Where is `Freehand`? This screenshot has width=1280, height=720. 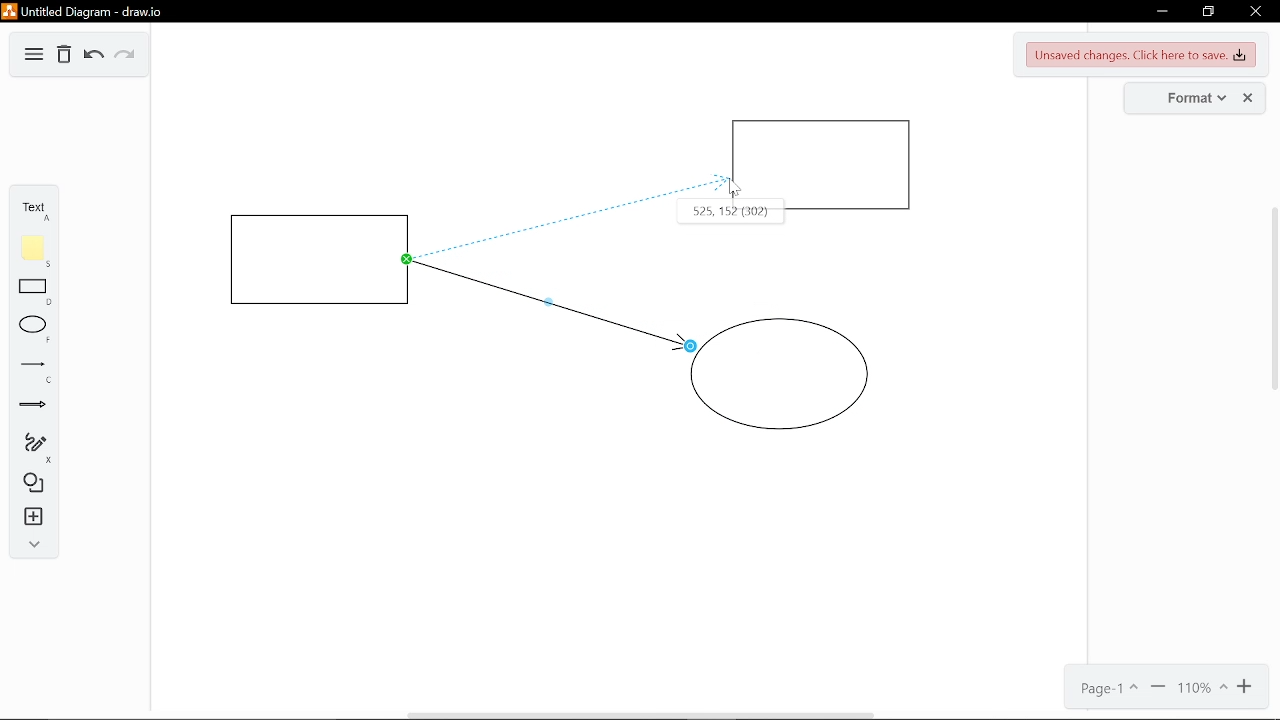 Freehand is located at coordinates (32, 447).